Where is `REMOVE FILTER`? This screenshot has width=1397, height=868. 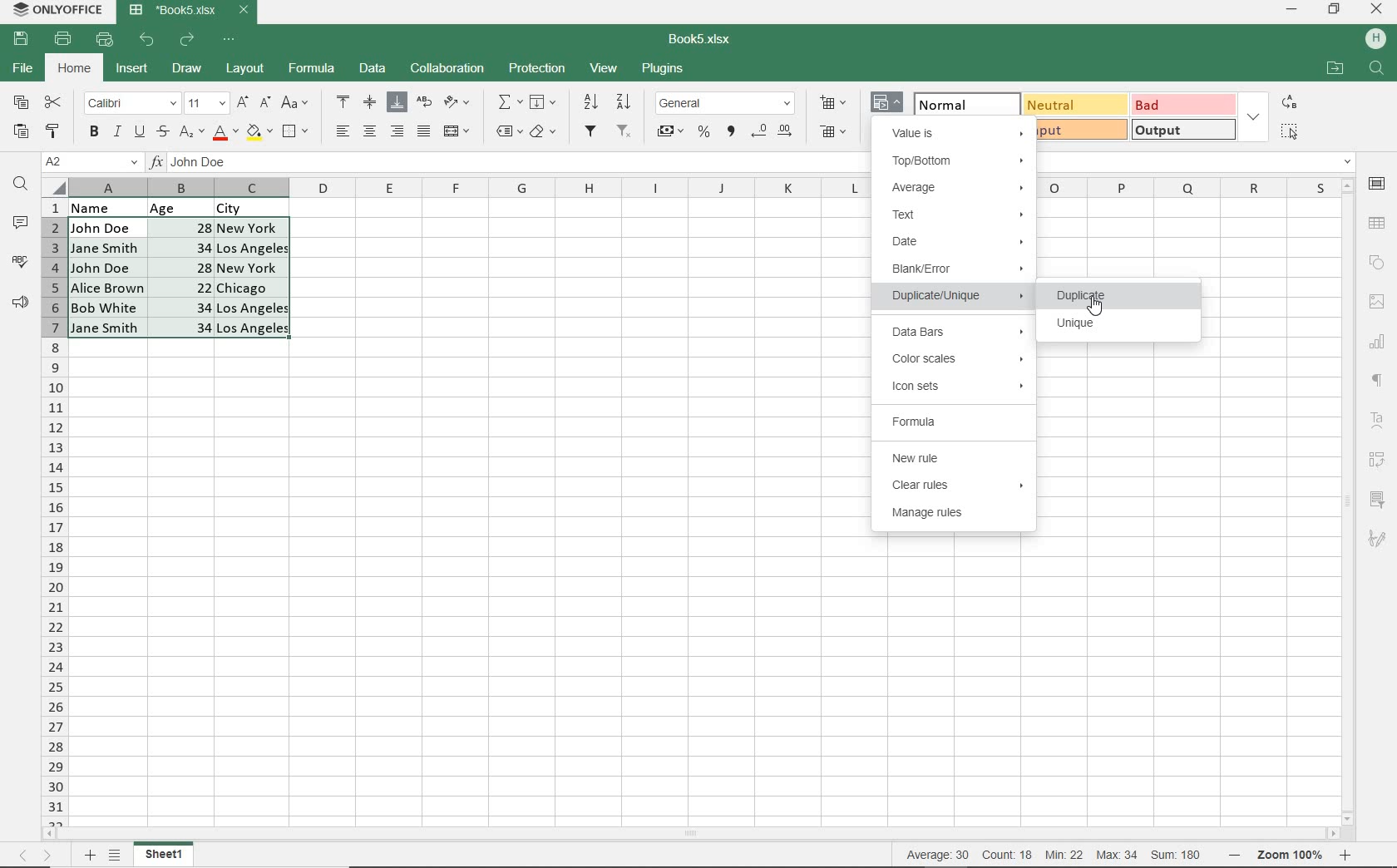
REMOVE FILTER is located at coordinates (625, 130).